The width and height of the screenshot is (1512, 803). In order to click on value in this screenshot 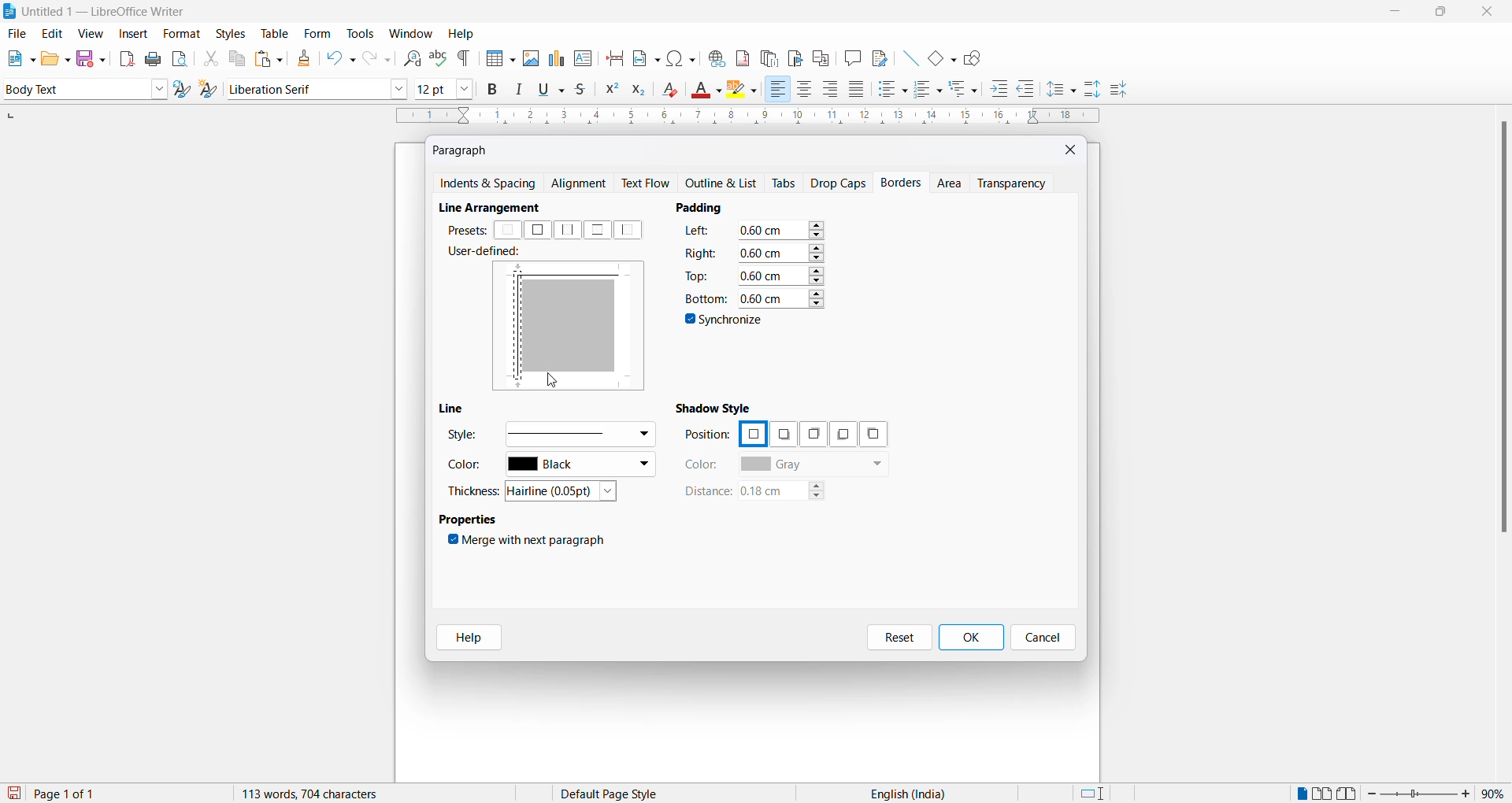, I will do `click(780, 297)`.